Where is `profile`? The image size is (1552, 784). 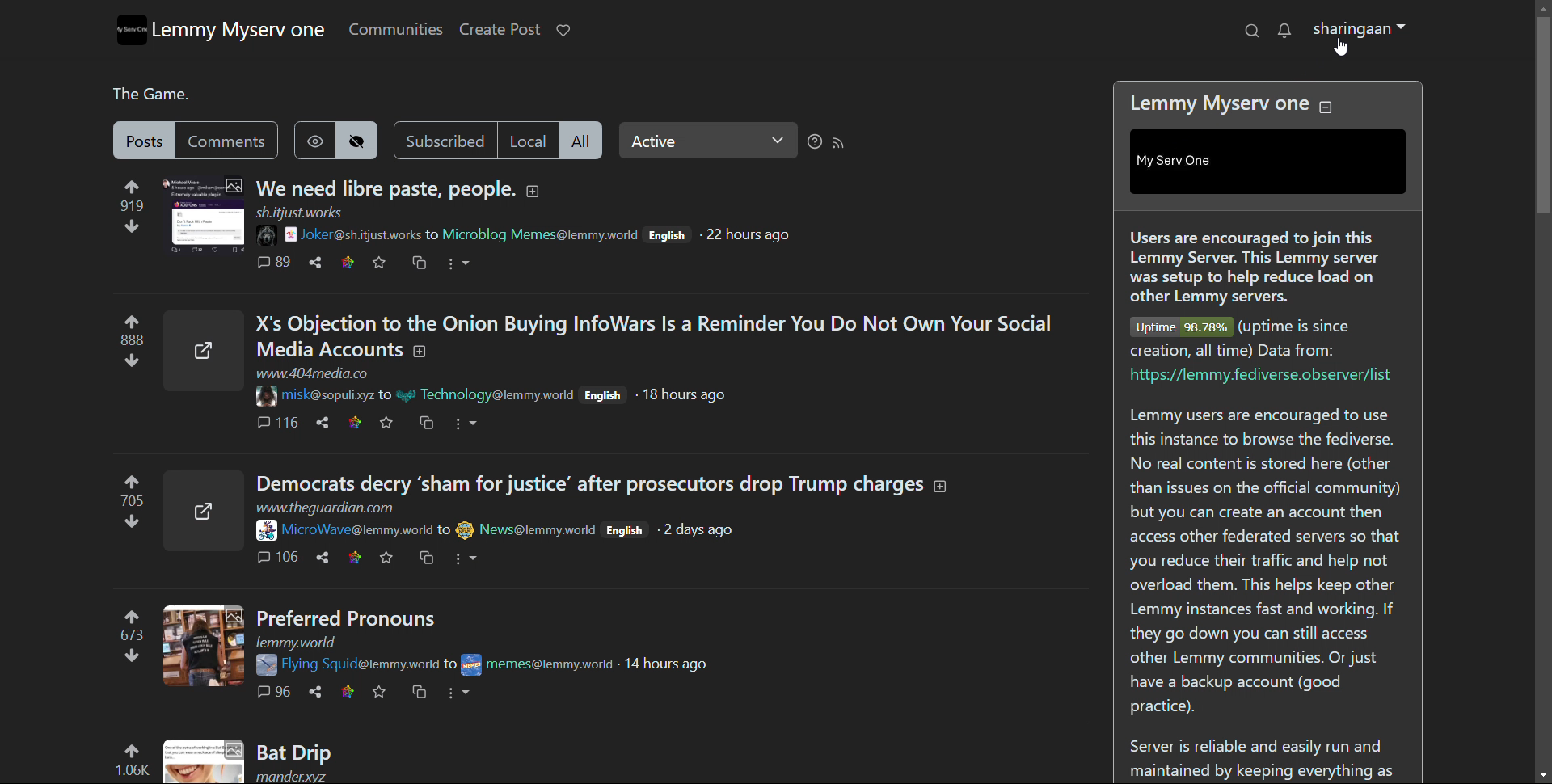 profile is located at coordinates (1358, 28).